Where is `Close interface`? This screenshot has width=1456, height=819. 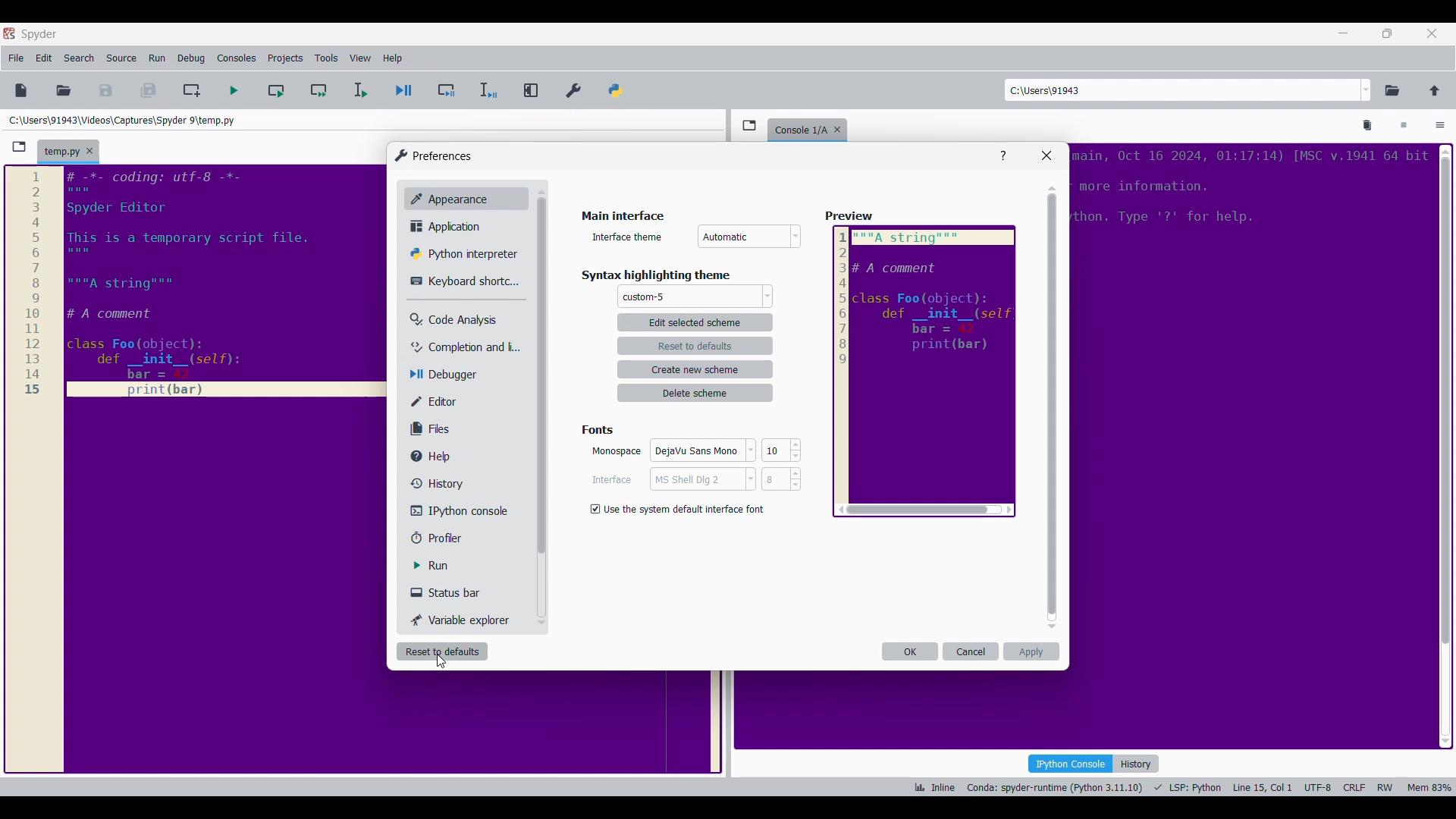 Close interface is located at coordinates (1432, 33).